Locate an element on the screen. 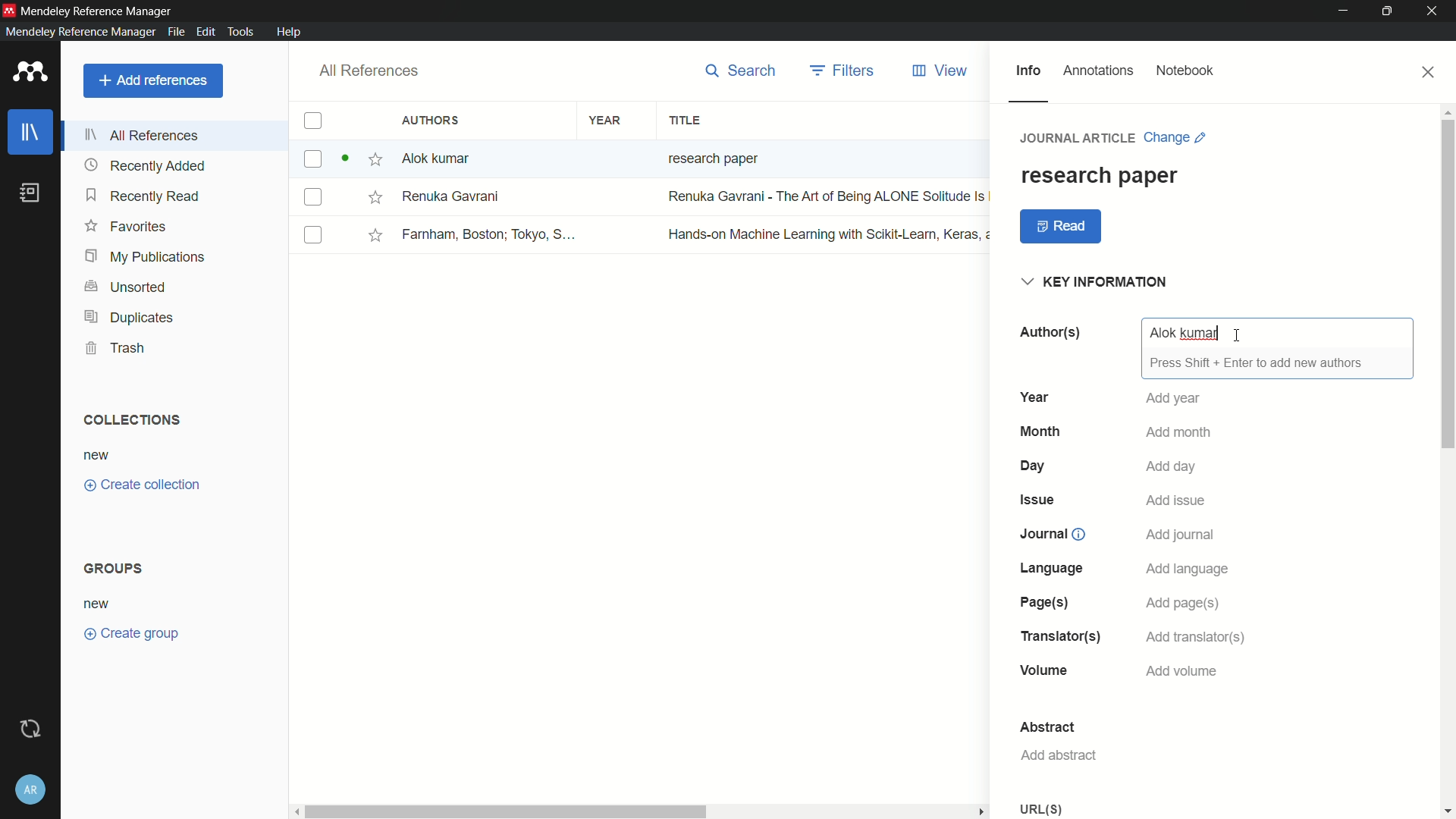  app icon is located at coordinates (30, 73).